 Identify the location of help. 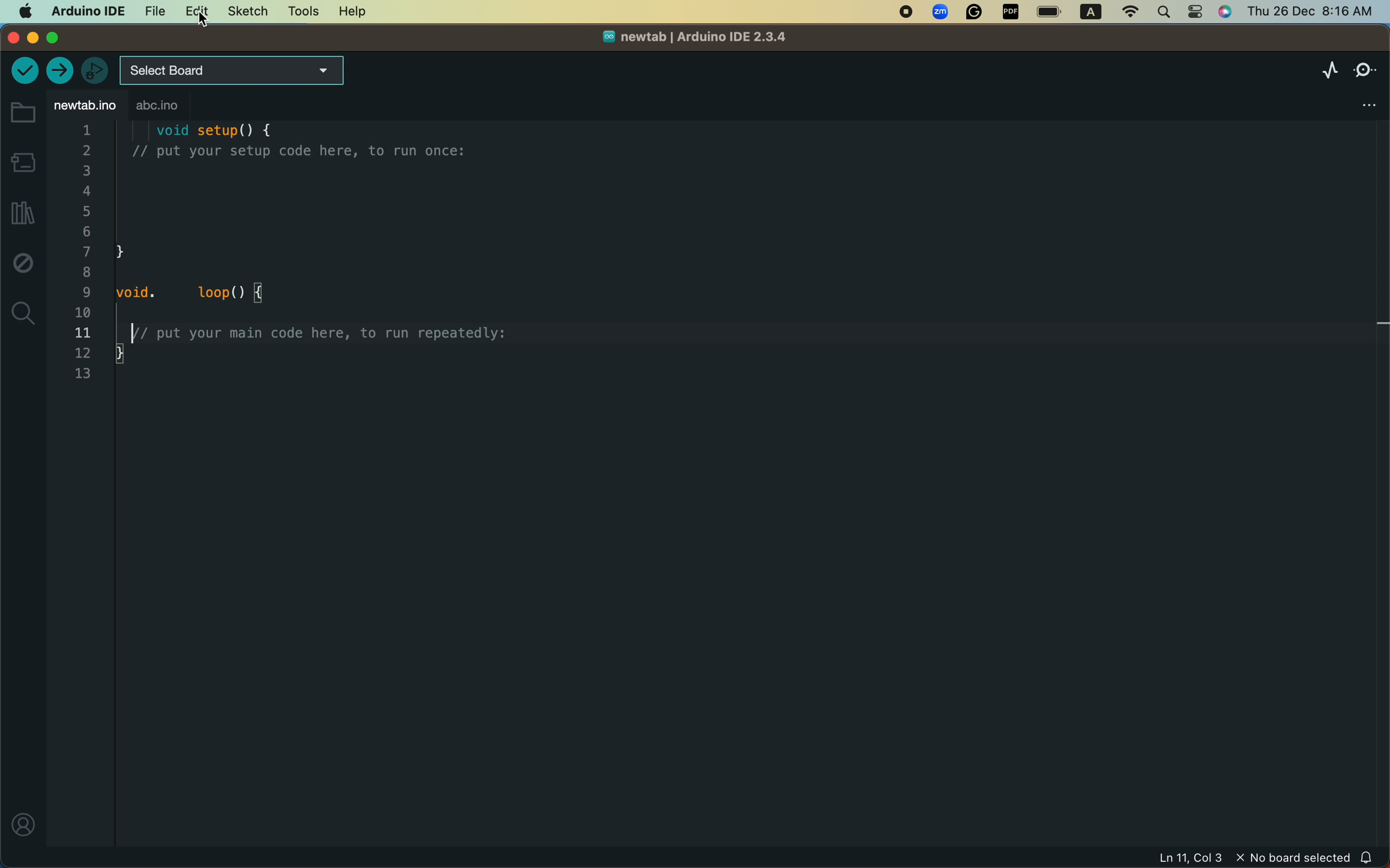
(349, 12).